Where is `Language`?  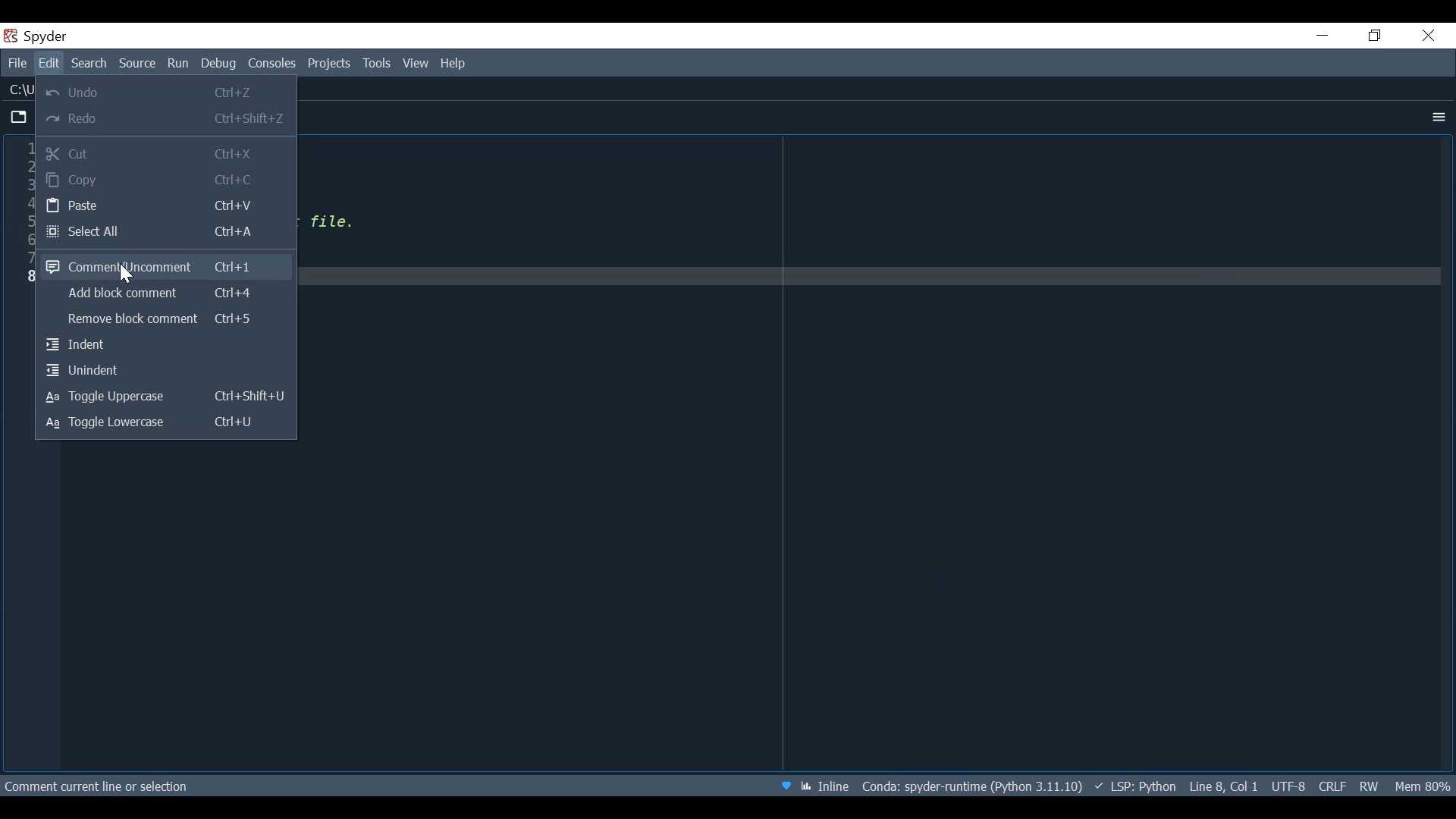 Language is located at coordinates (1134, 786).